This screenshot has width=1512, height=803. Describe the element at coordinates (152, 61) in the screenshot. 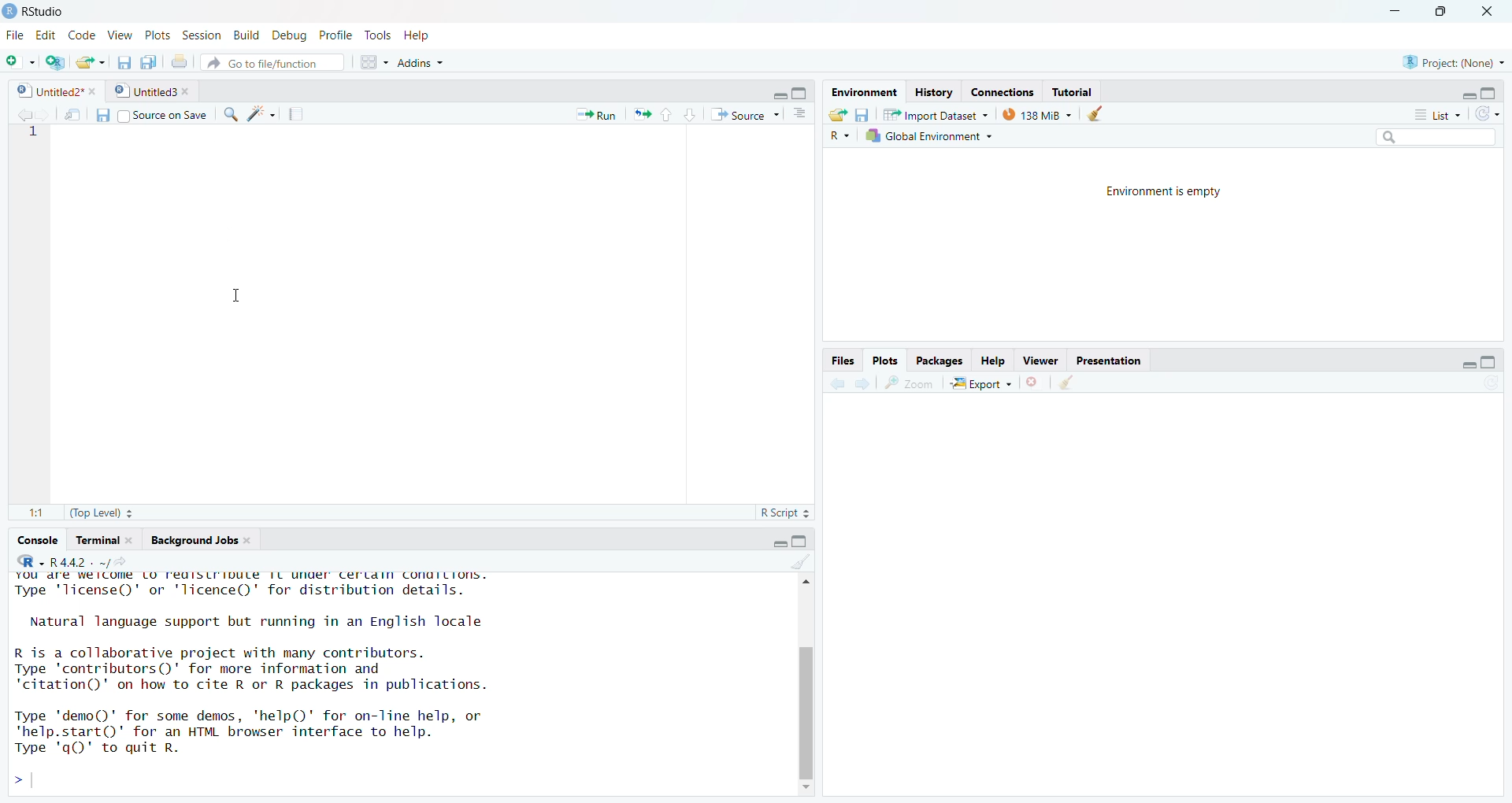

I see `Save all documents` at that location.